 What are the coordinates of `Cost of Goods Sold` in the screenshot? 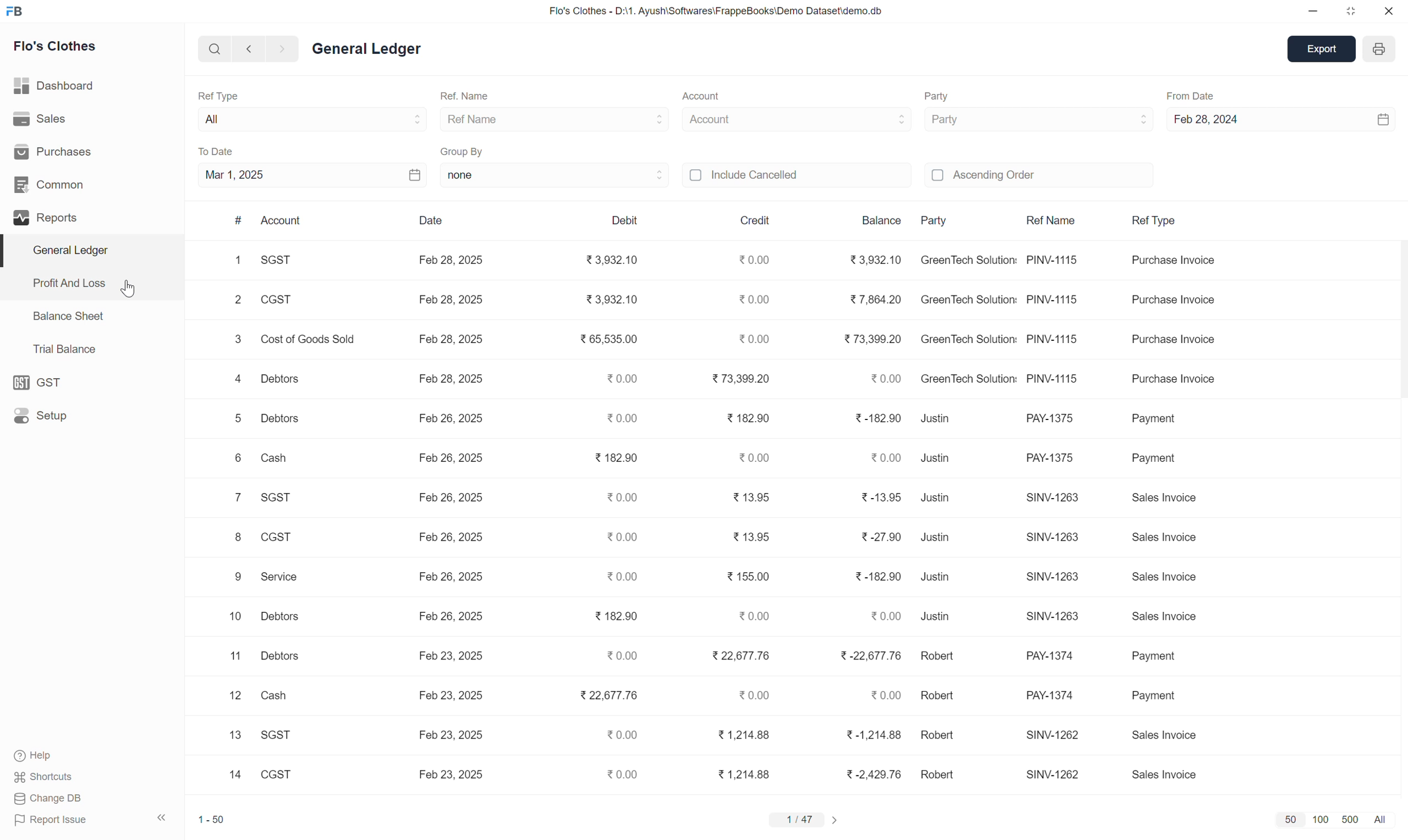 It's located at (308, 340).